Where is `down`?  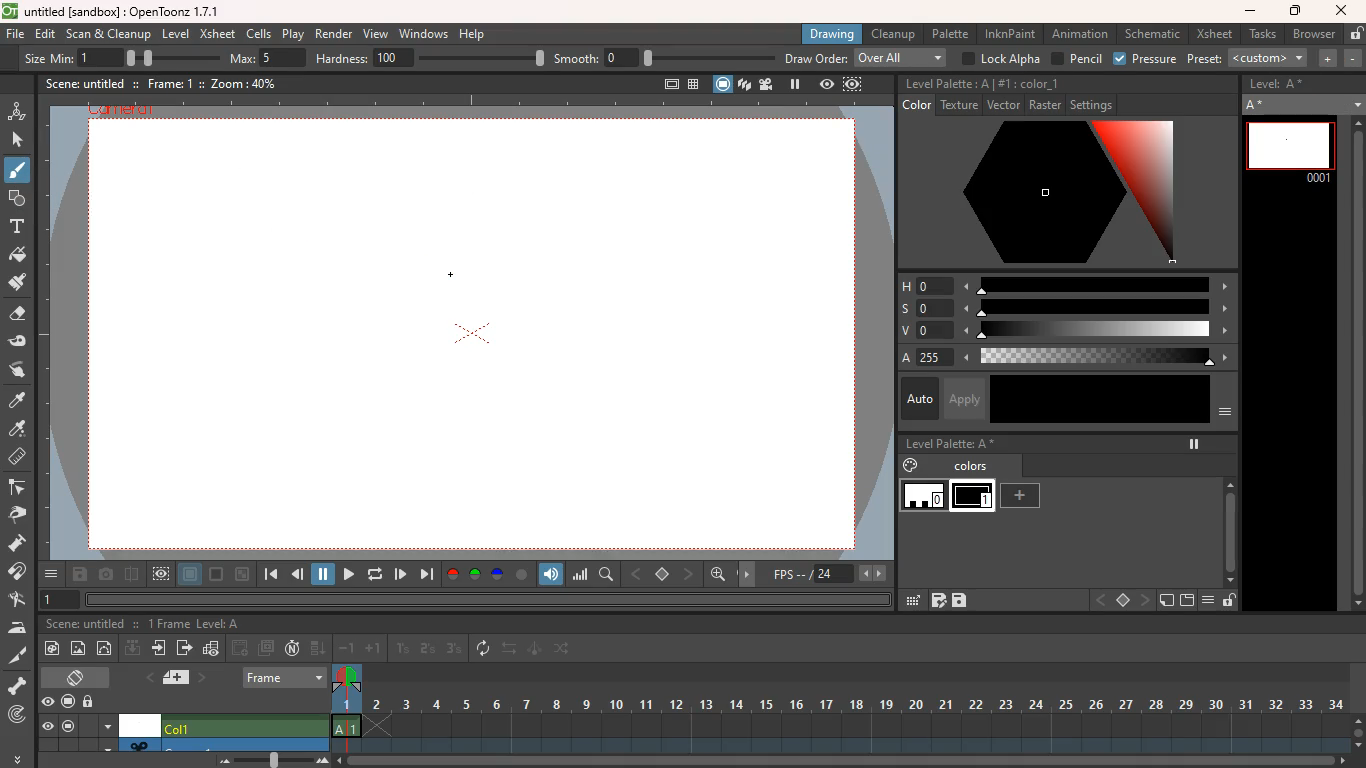
down is located at coordinates (132, 650).